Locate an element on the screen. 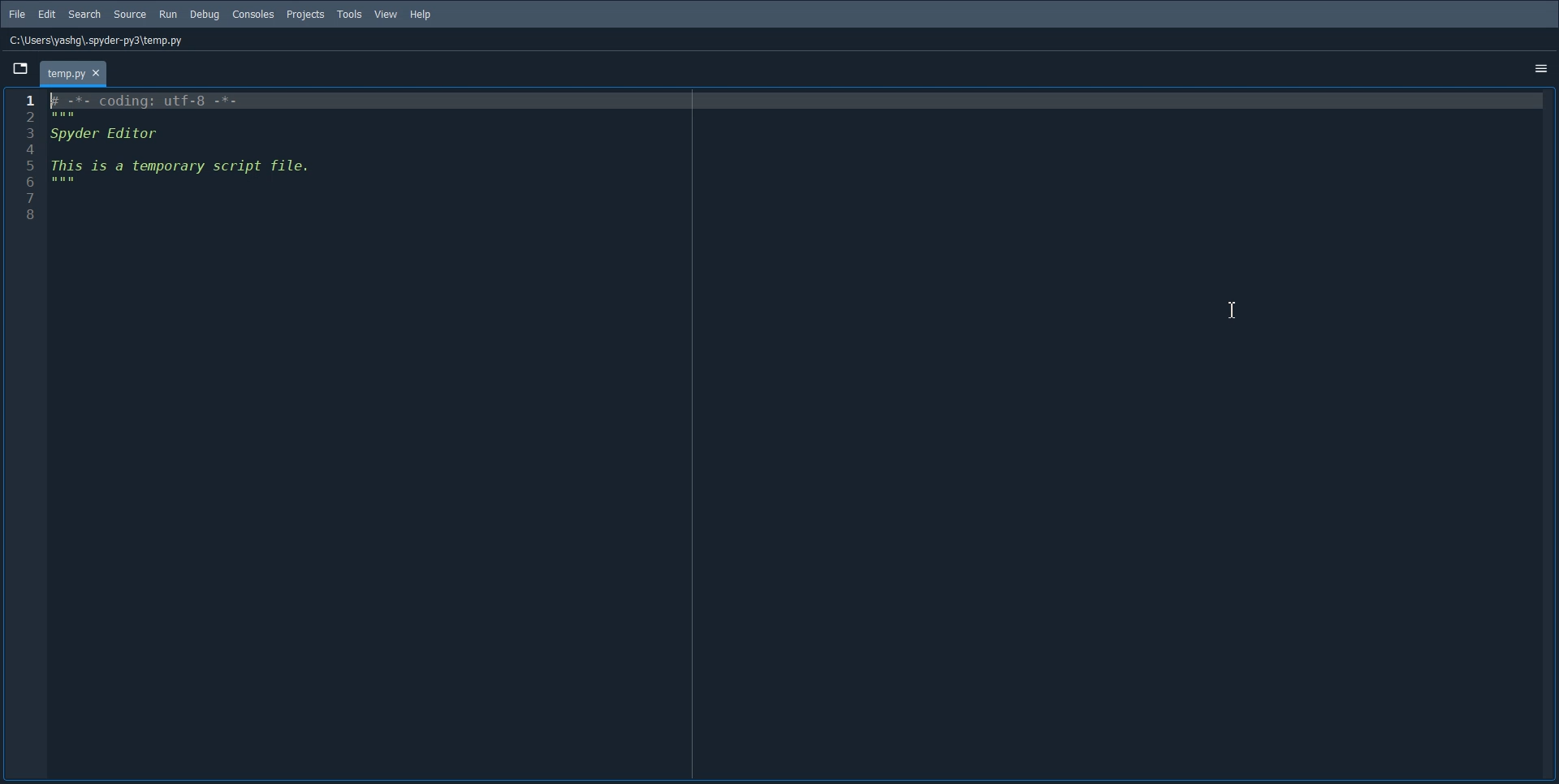 The image size is (1559, 784). Text Cursor is located at coordinates (1232, 308).